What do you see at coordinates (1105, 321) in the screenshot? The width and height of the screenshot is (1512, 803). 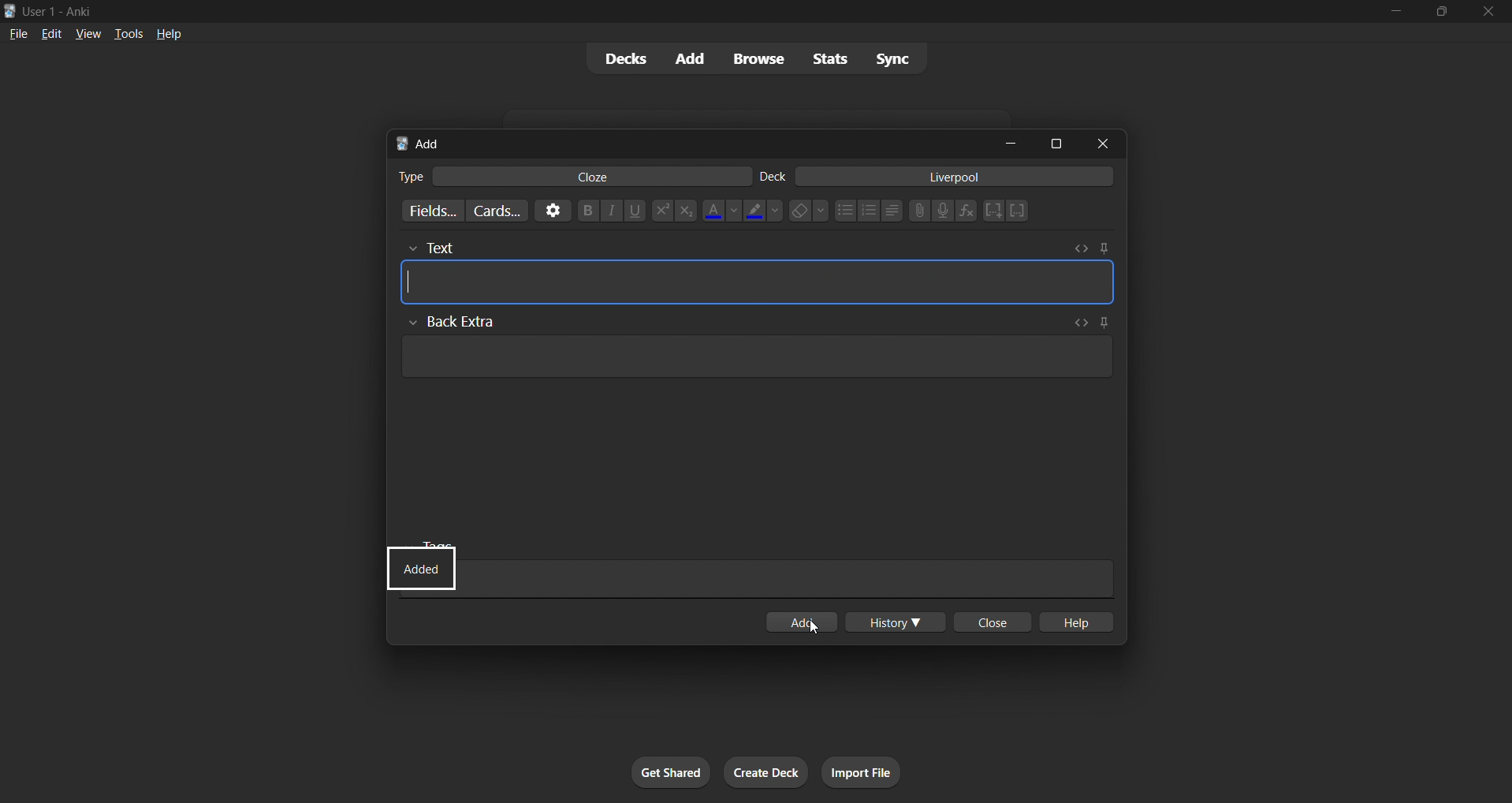 I see `toggle sticky` at bounding box center [1105, 321].